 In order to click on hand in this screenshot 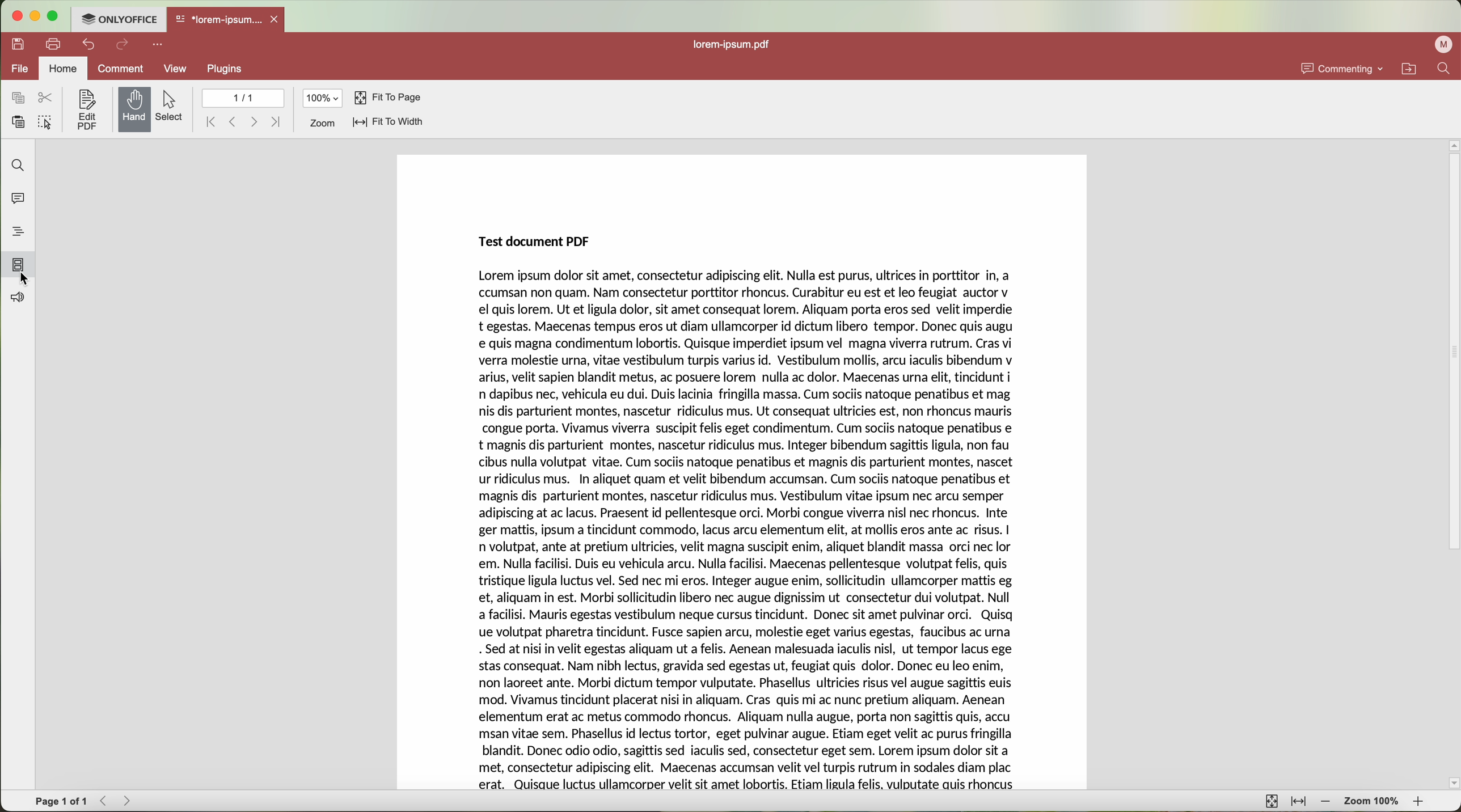, I will do `click(134, 109)`.